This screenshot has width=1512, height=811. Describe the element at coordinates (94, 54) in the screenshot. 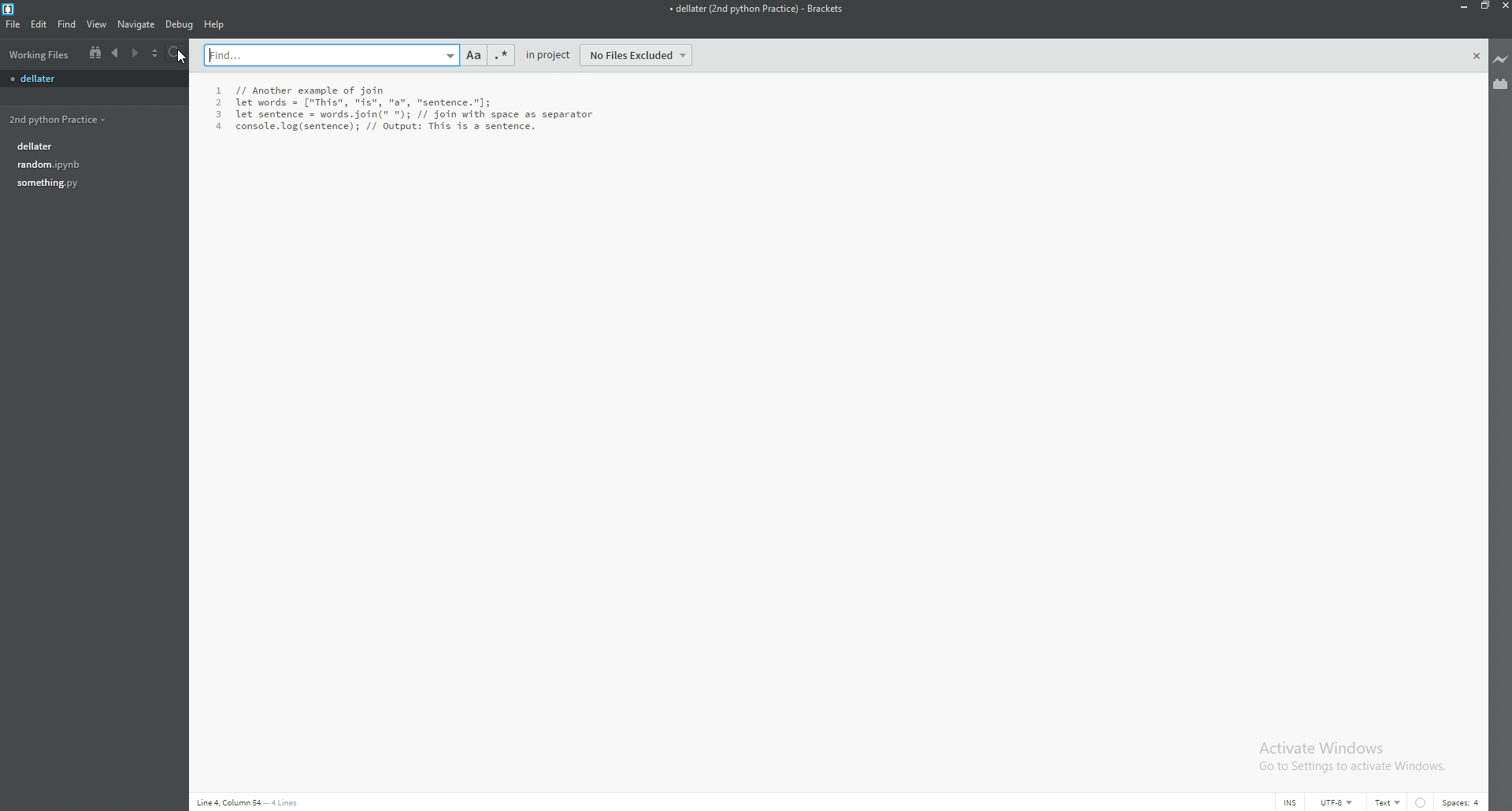

I see `split view` at that location.